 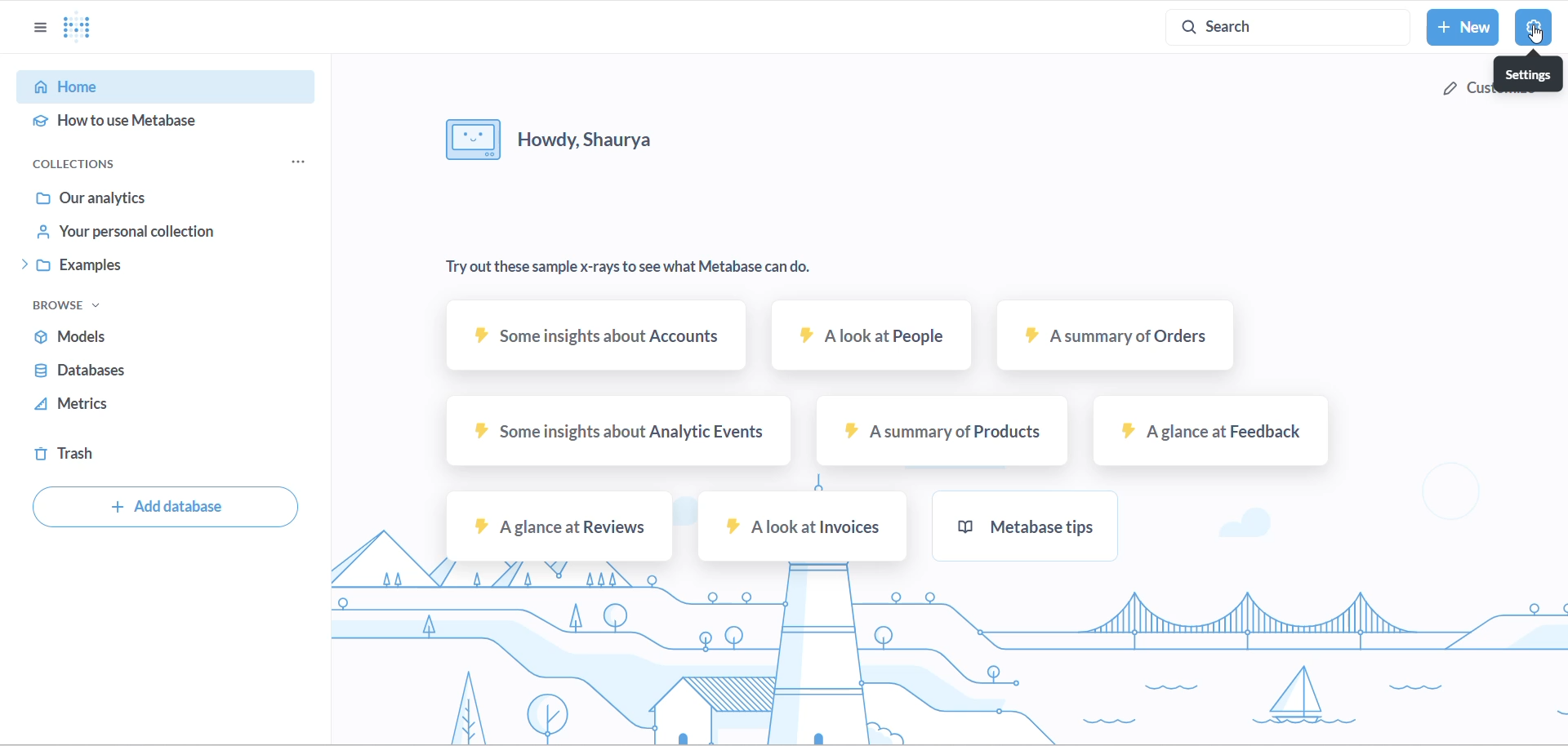 I want to click on cursor, so click(x=1539, y=32).